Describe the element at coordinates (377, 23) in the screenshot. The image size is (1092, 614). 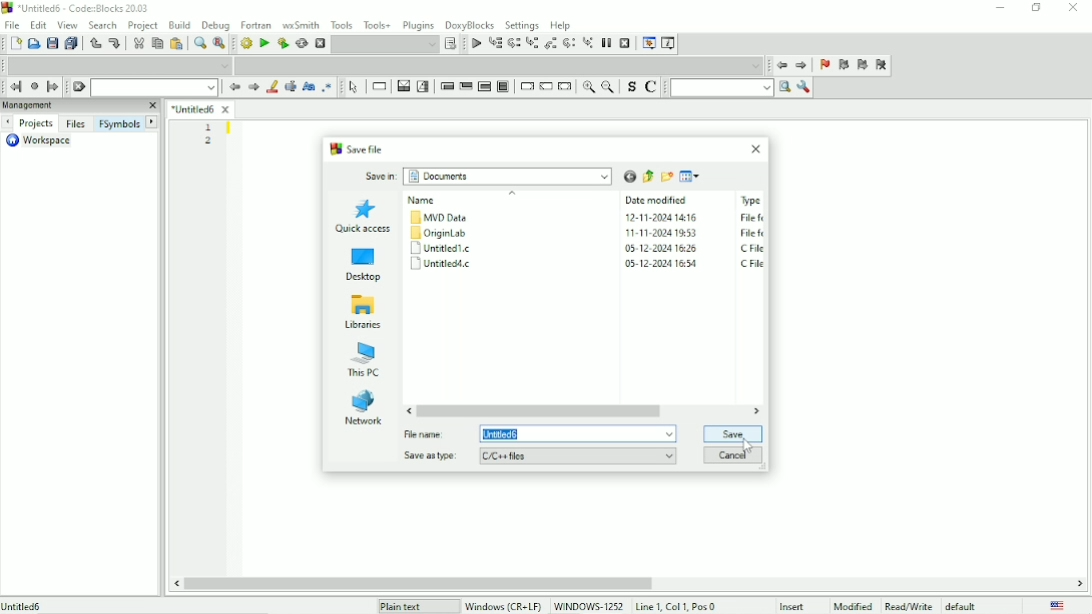
I see `Tools+` at that location.